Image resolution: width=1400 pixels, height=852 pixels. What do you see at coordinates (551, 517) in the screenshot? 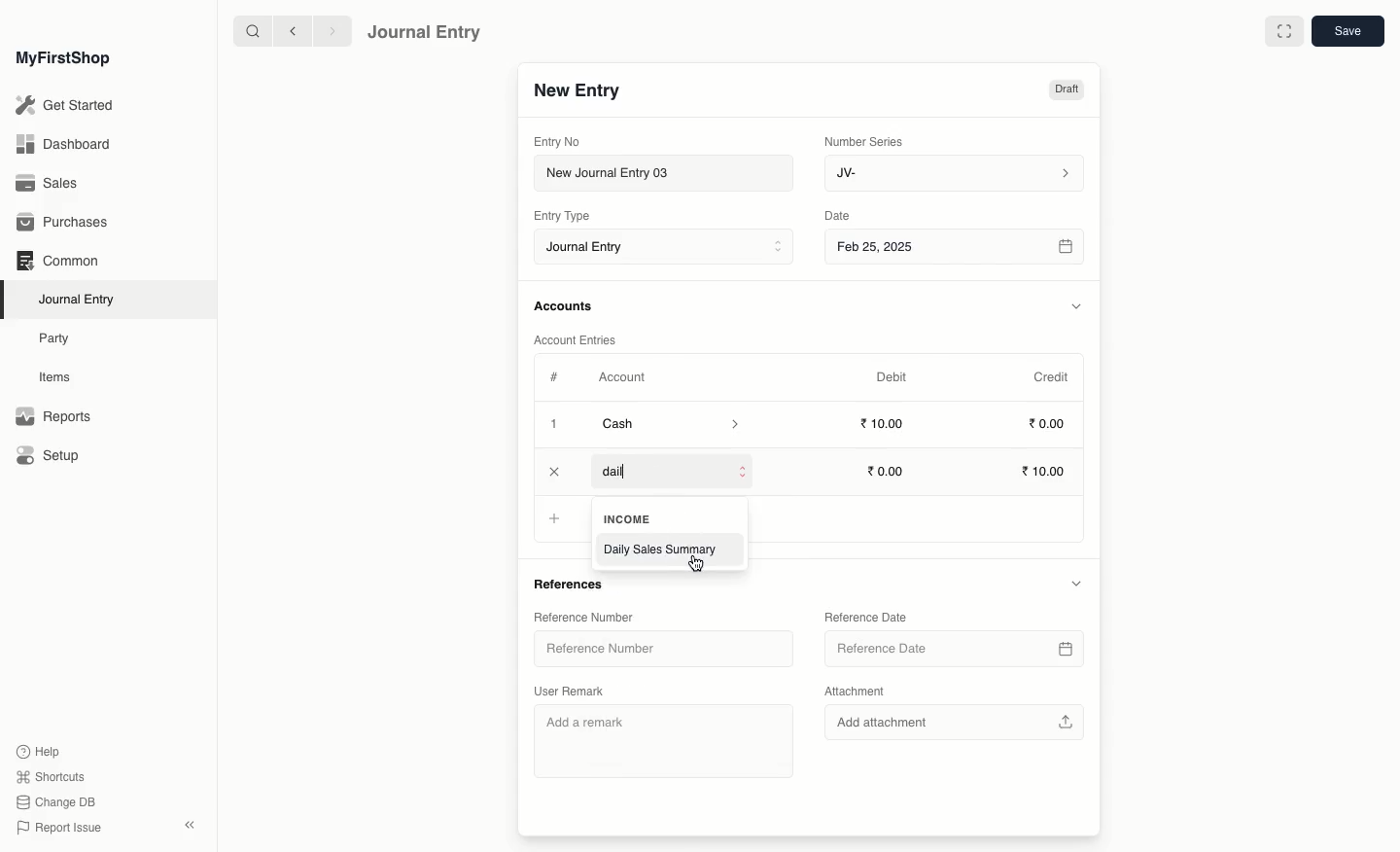
I see `Add` at bounding box center [551, 517].